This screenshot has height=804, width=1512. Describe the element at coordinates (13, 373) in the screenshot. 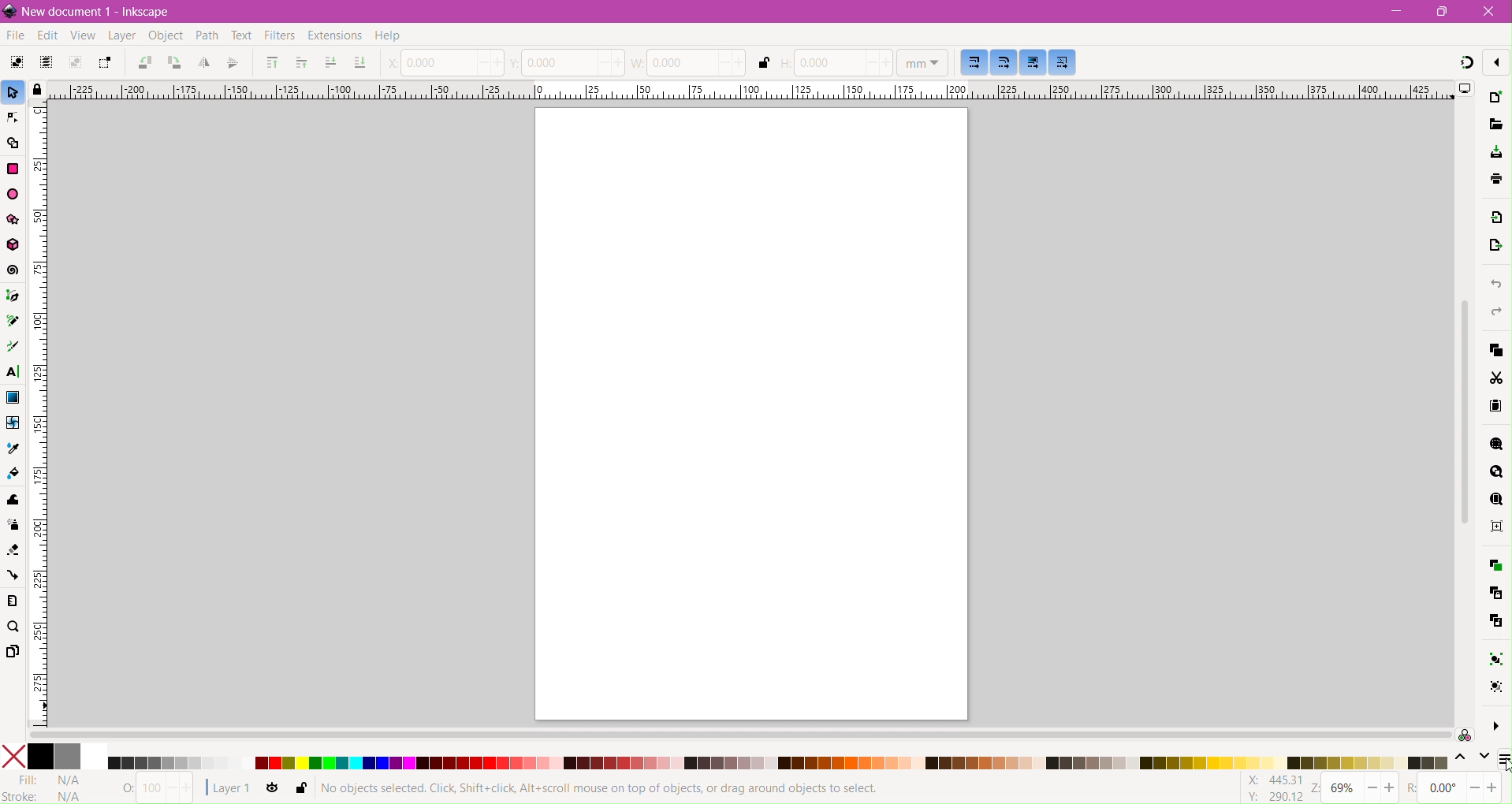

I see `Text Tool` at that location.